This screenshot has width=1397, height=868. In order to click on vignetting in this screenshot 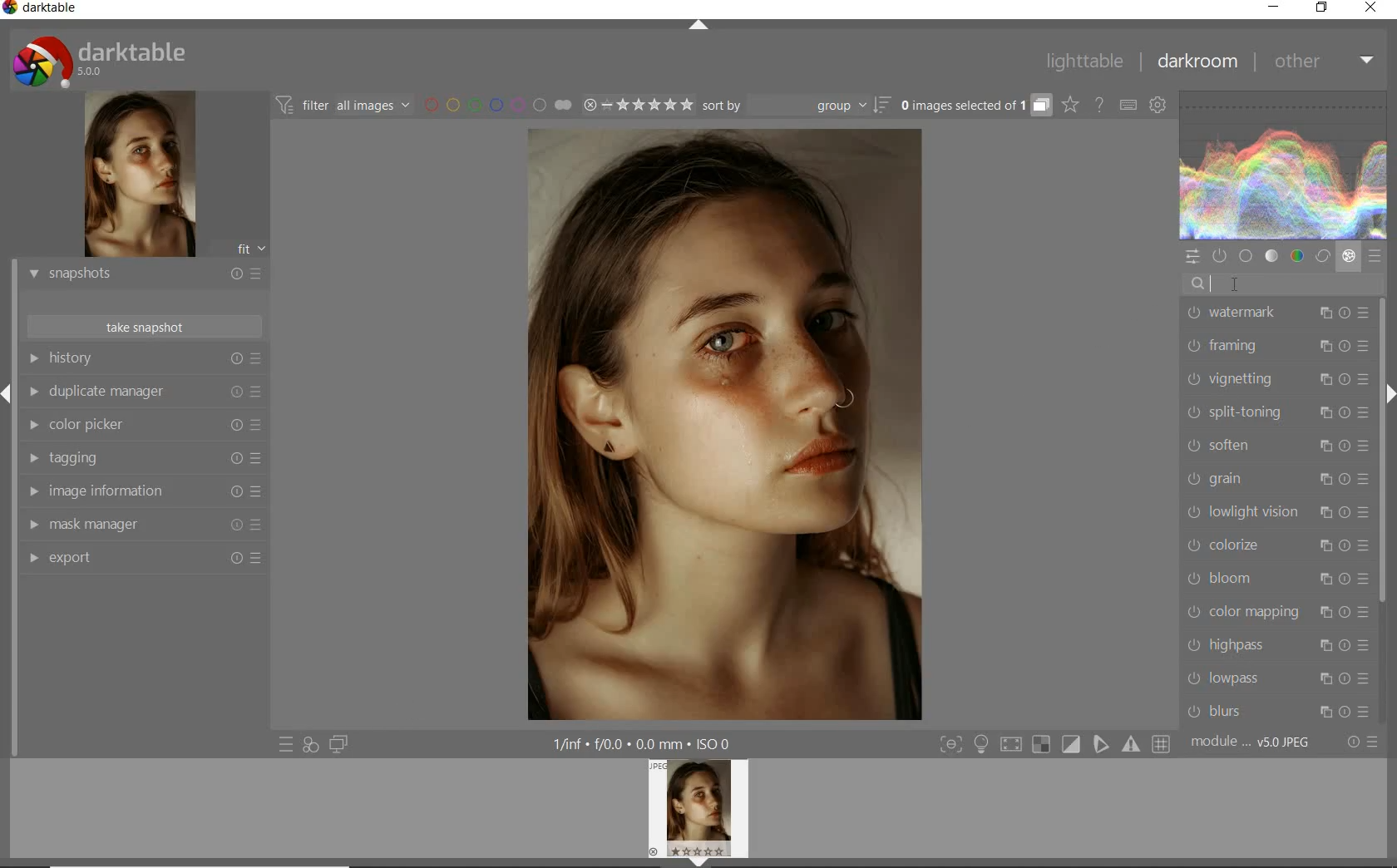, I will do `click(1275, 379)`.